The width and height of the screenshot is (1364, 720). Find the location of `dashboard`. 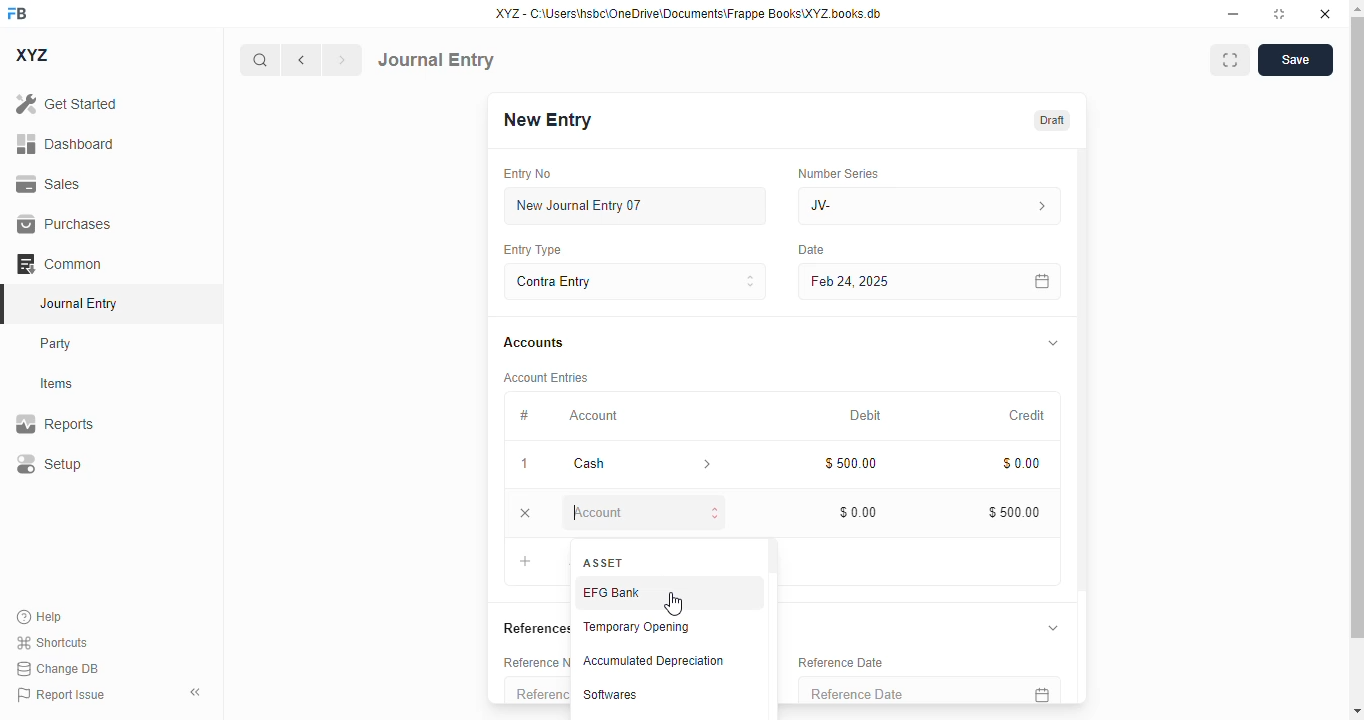

dashboard is located at coordinates (65, 143).